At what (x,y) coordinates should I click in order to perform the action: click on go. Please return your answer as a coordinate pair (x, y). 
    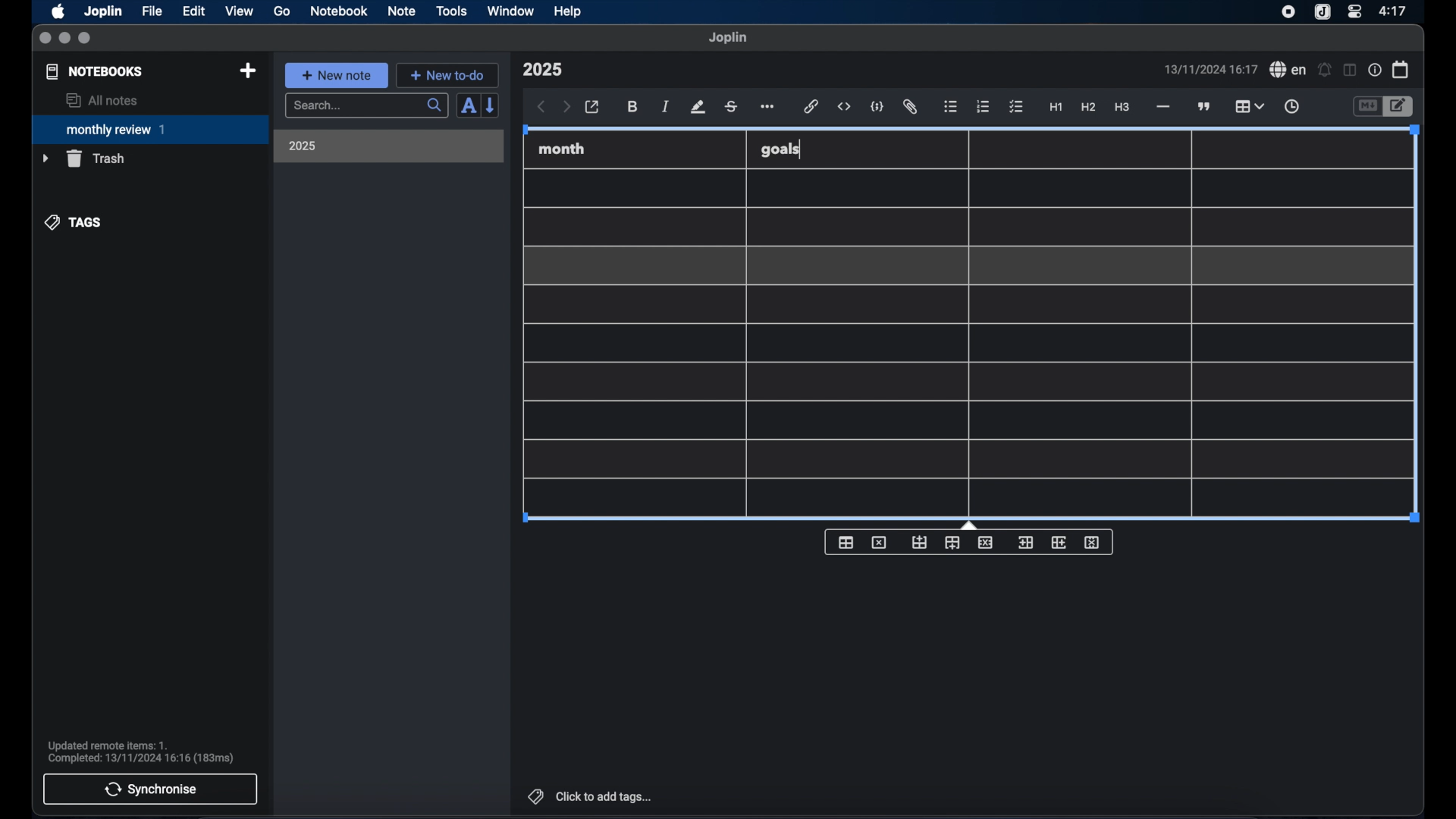
    Looking at the image, I should click on (282, 11).